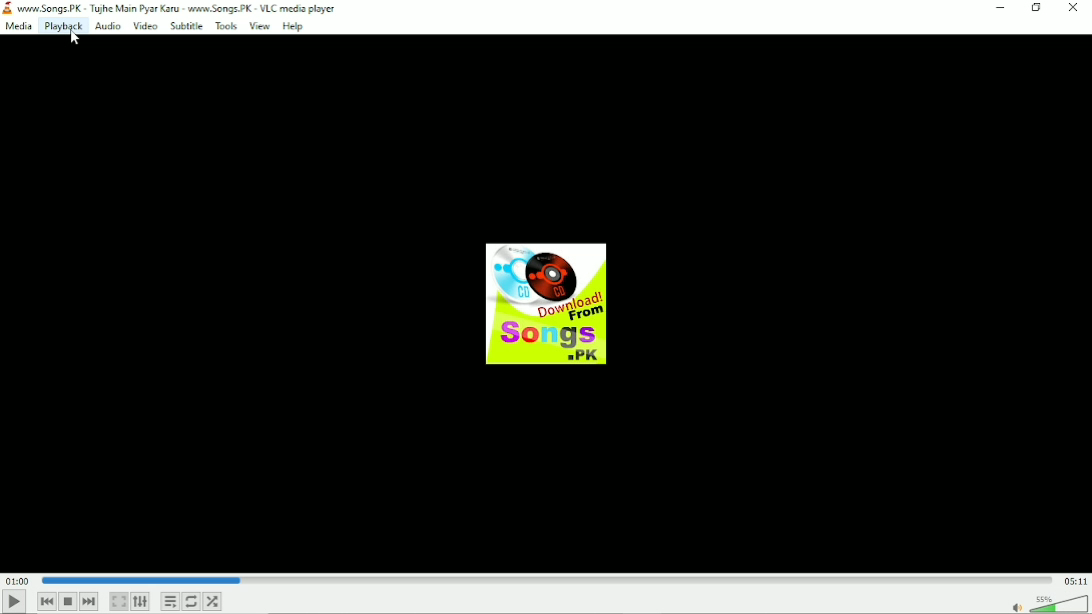 This screenshot has height=614, width=1092. What do you see at coordinates (76, 36) in the screenshot?
I see `cursor` at bounding box center [76, 36].